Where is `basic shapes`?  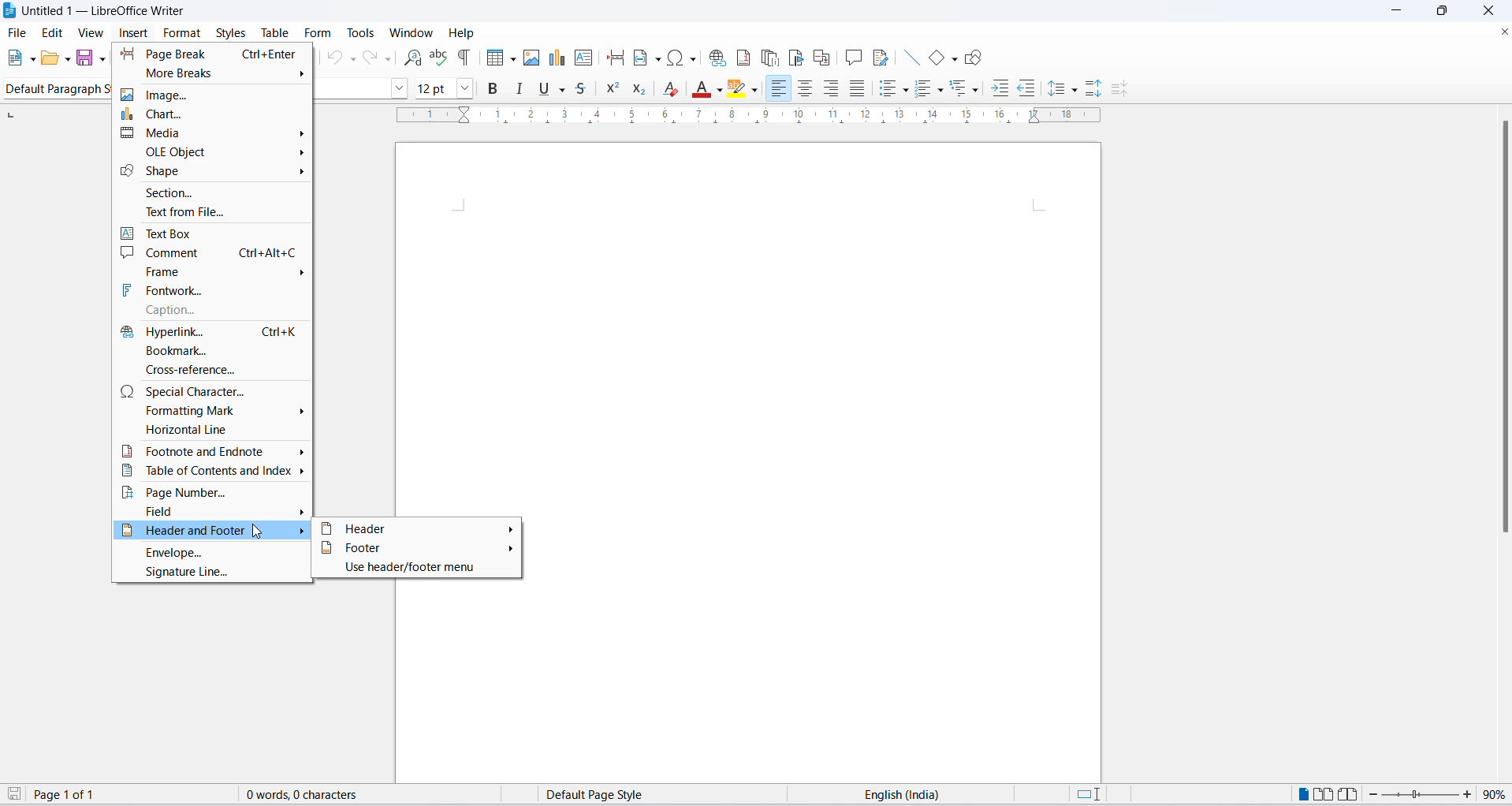 basic shapes is located at coordinates (931, 54).